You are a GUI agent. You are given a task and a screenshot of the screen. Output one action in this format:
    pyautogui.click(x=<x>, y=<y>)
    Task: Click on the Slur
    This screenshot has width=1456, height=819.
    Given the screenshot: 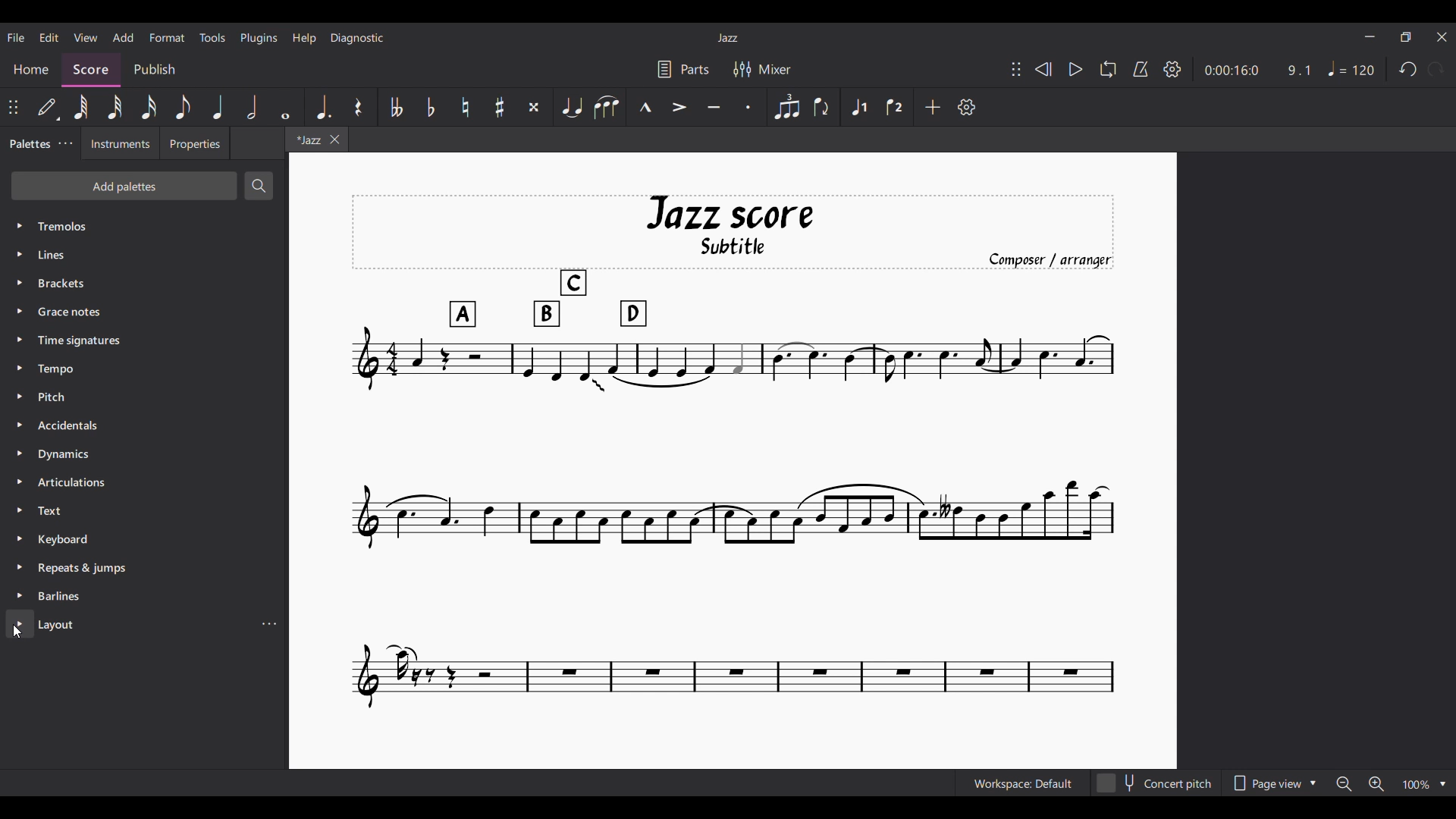 What is the action you would take?
    pyautogui.click(x=606, y=107)
    